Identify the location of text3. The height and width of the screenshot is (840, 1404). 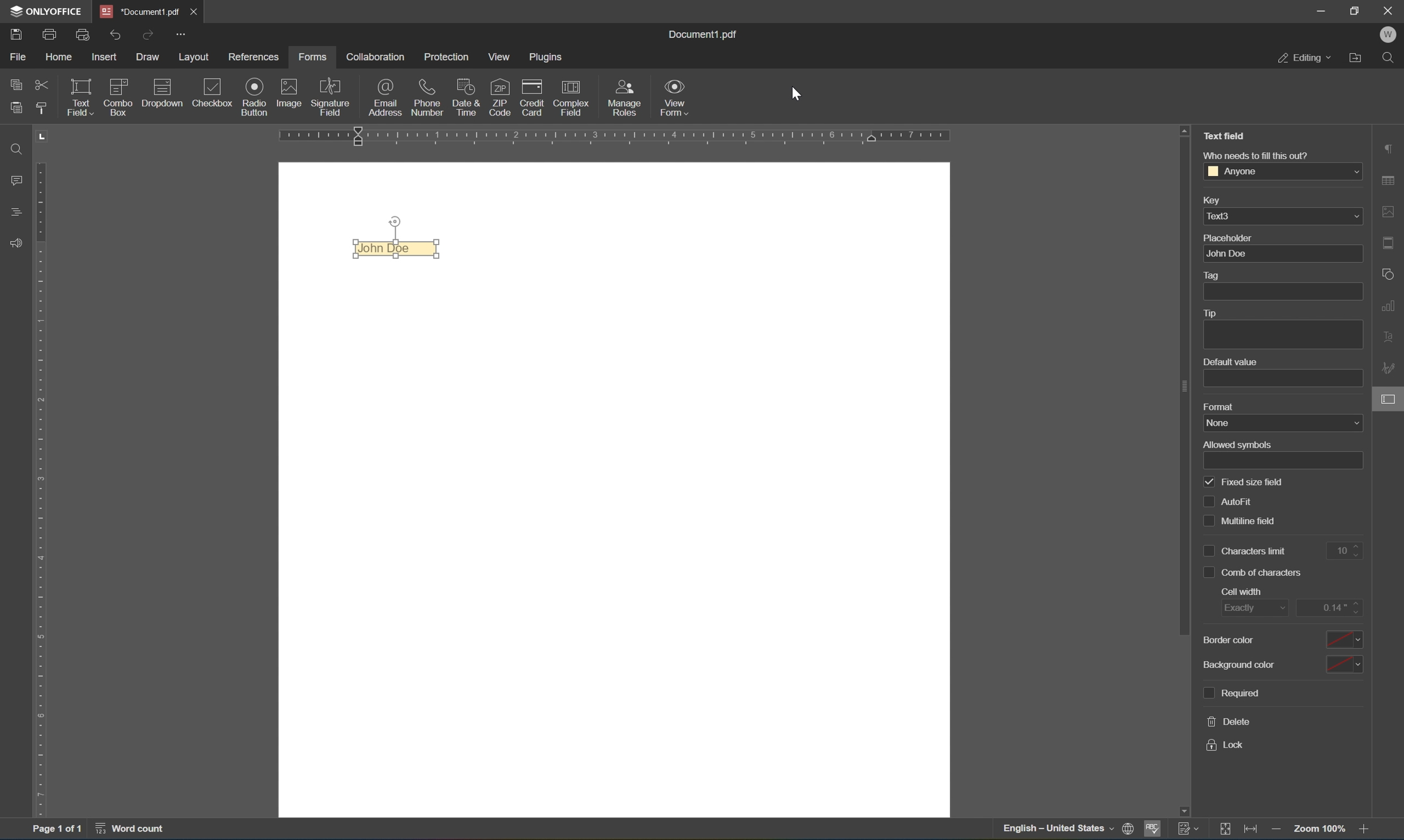
(1285, 217).